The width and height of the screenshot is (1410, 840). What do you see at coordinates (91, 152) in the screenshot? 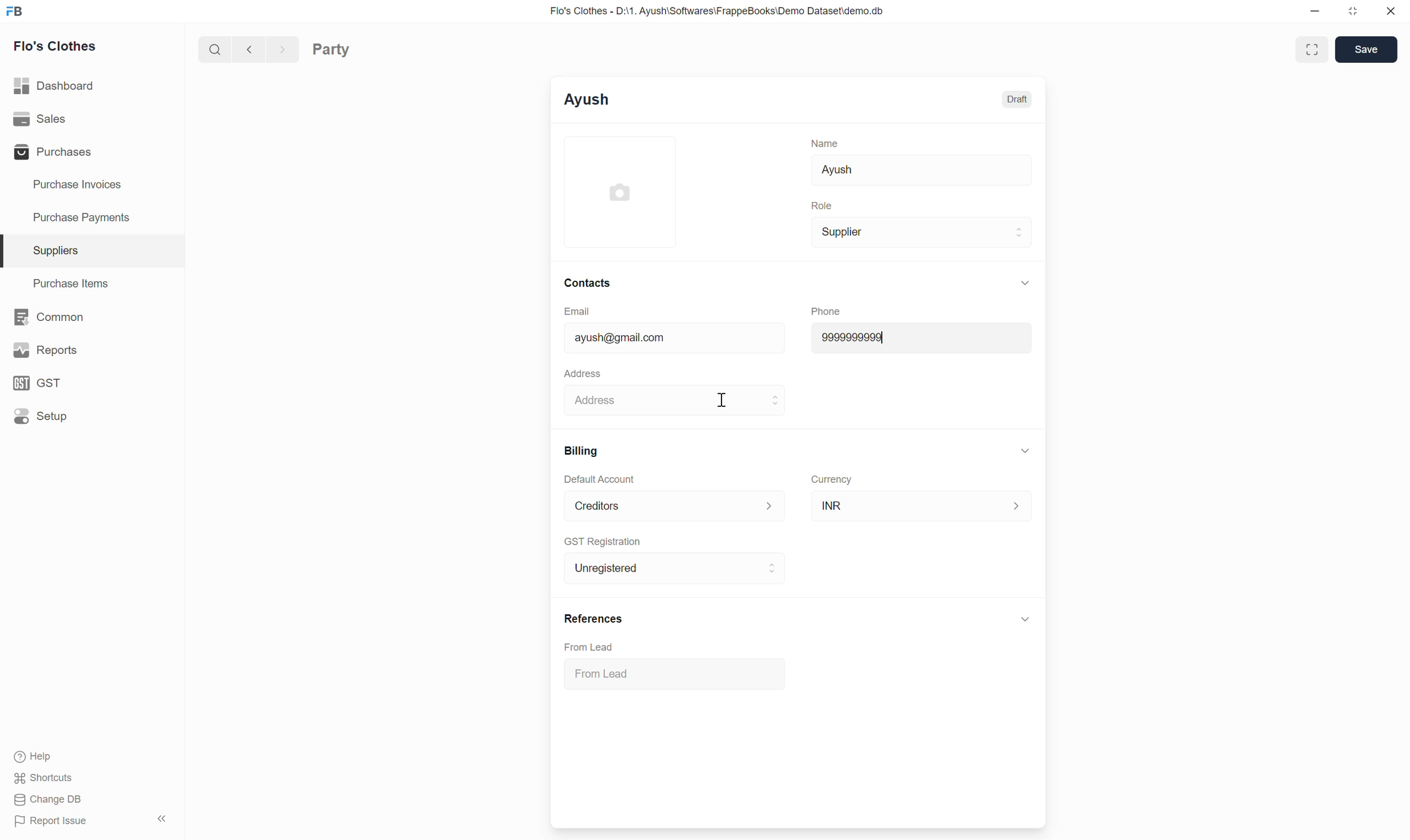
I see `Purchases` at bounding box center [91, 152].